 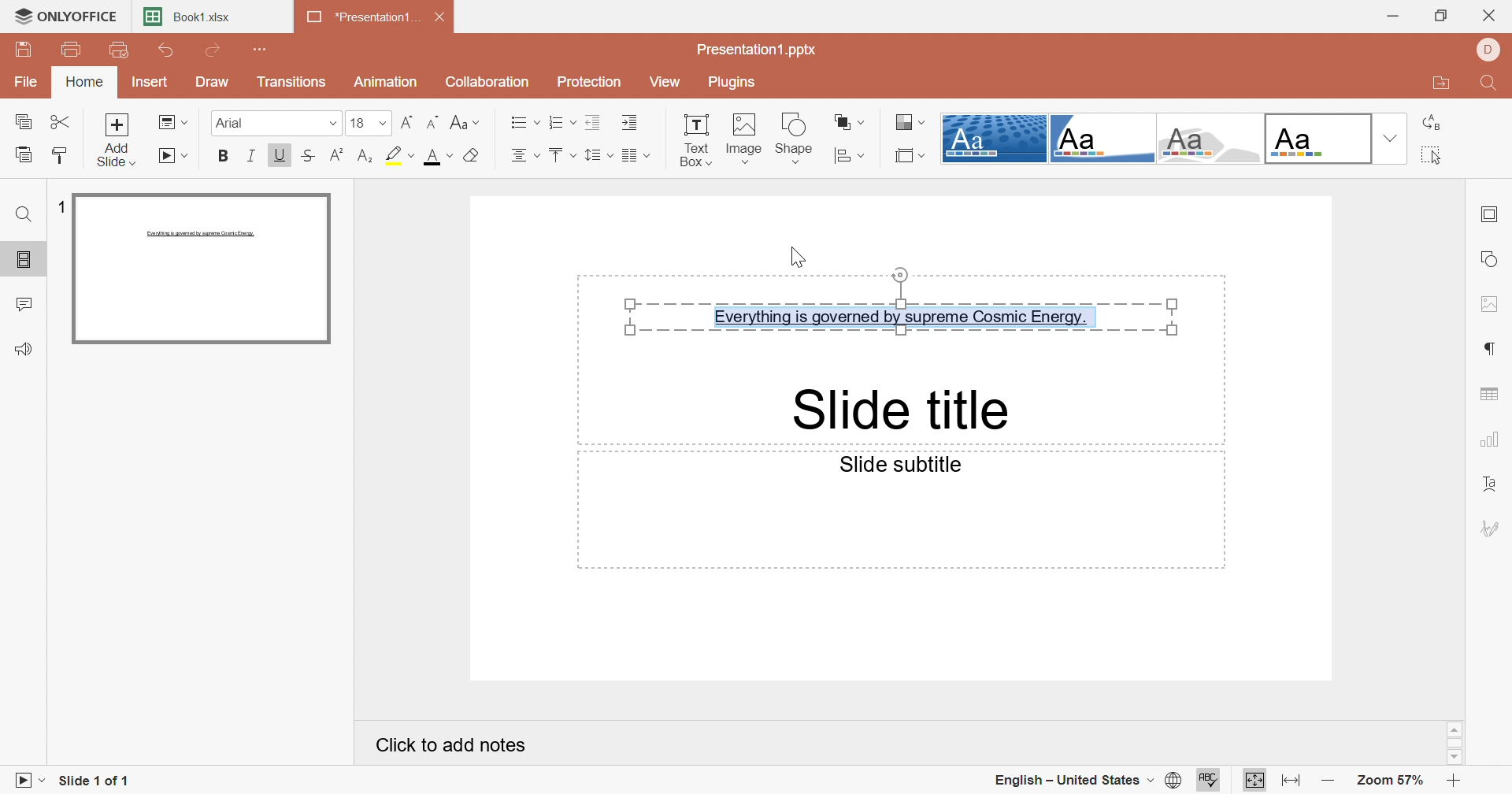 What do you see at coordinates (1101, 139) in the screenshot?
I see `Corner` at bounding box center [1101, 139].